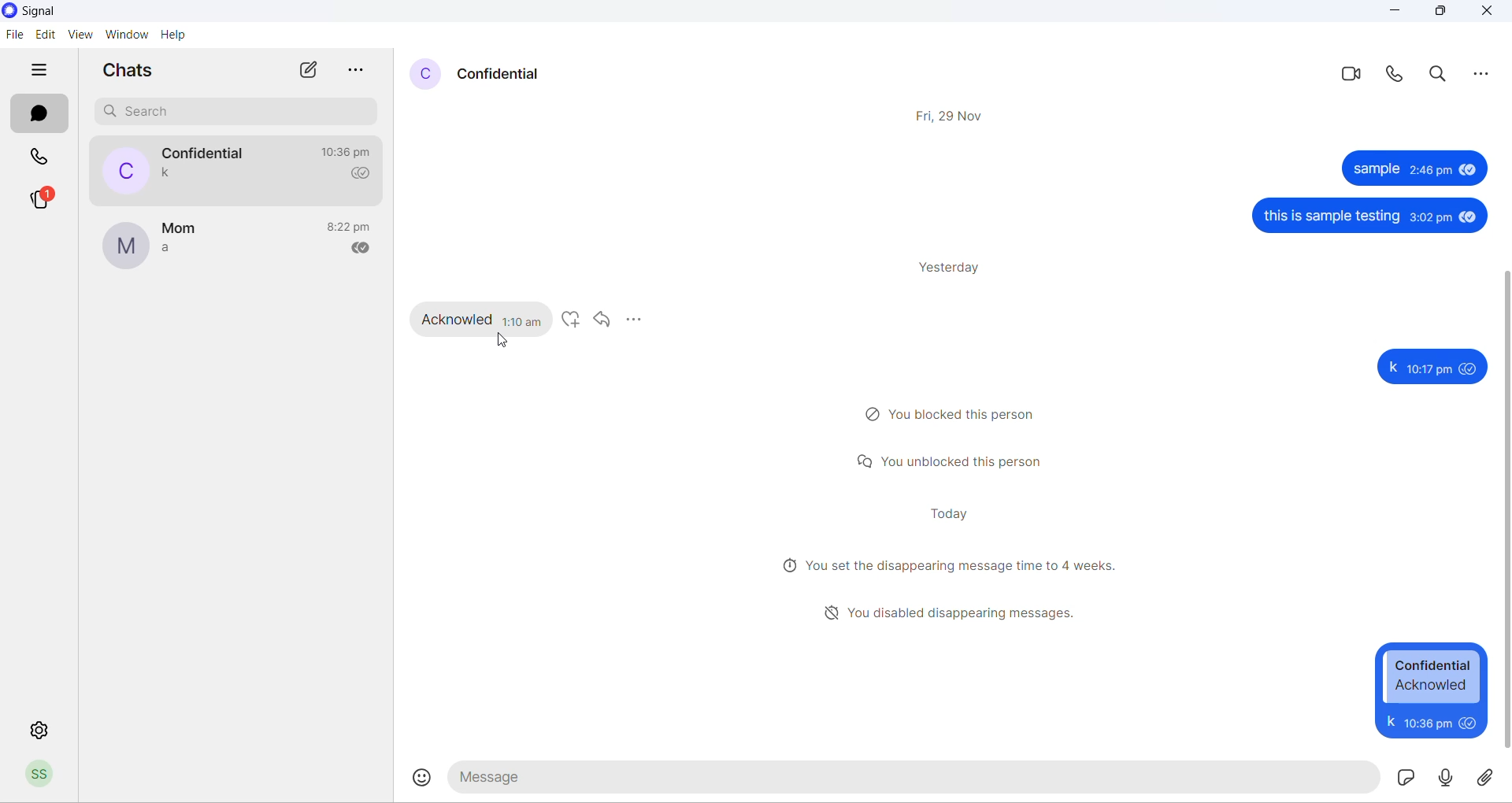  What do you see at coordinates (1503, 509) in the screenshot?
I see `scroll bar` at bounding box center [1503, 509].